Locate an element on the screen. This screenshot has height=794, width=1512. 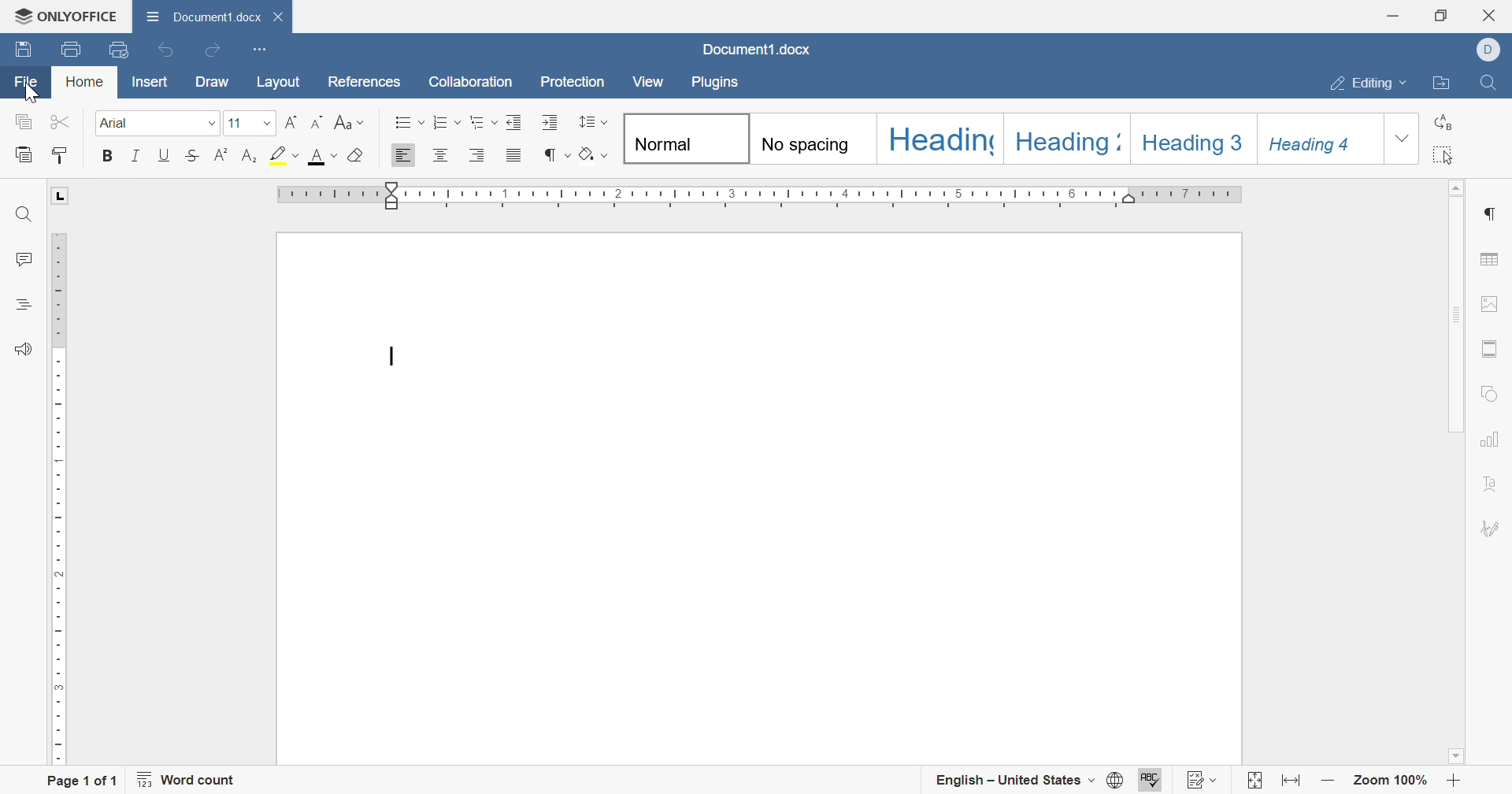
copy is located at coordinates (26, 124).